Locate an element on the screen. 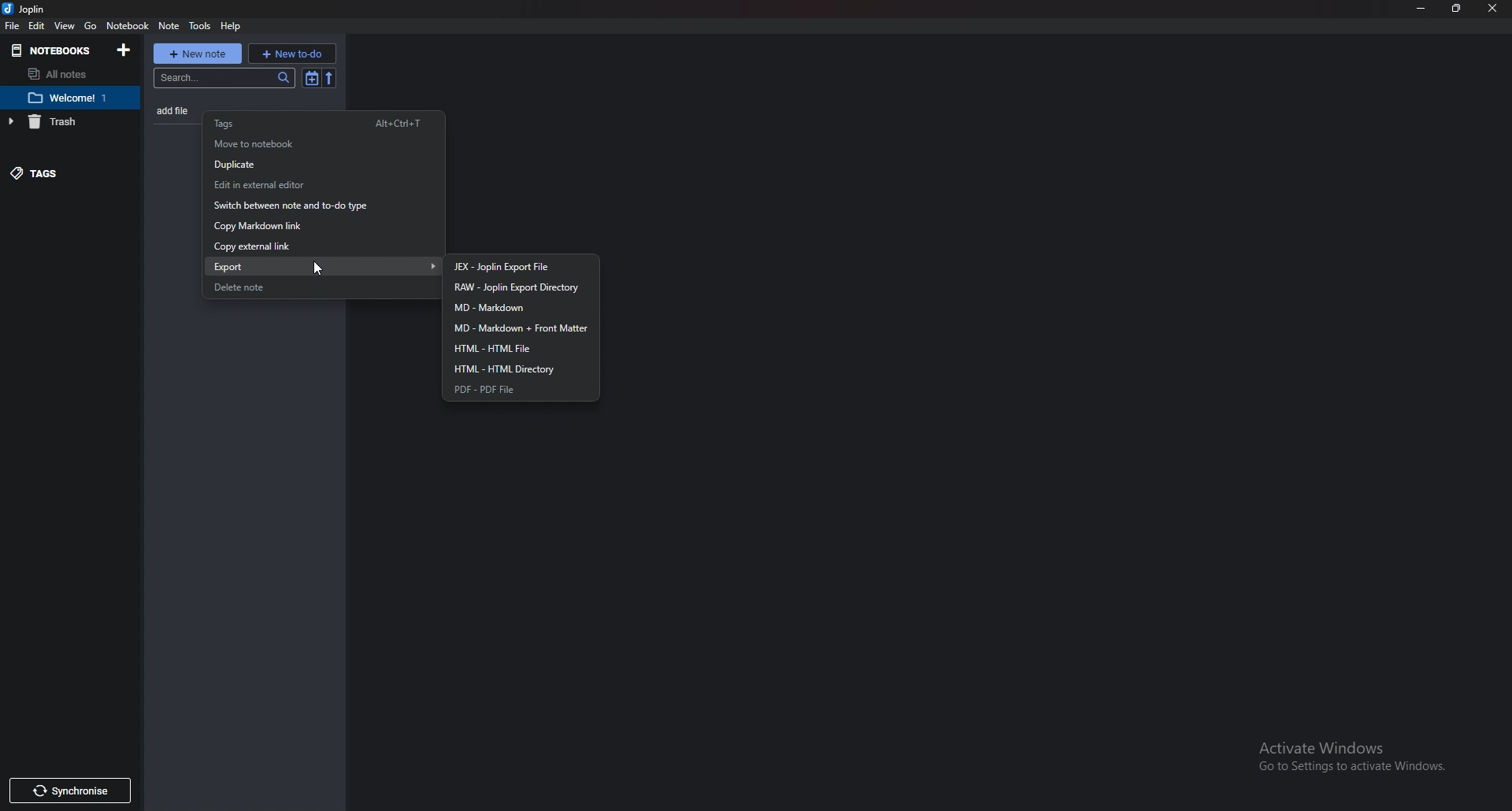 This screenshot has width=1512, height=811. reverse sort order is located at coordinates (332, 77).